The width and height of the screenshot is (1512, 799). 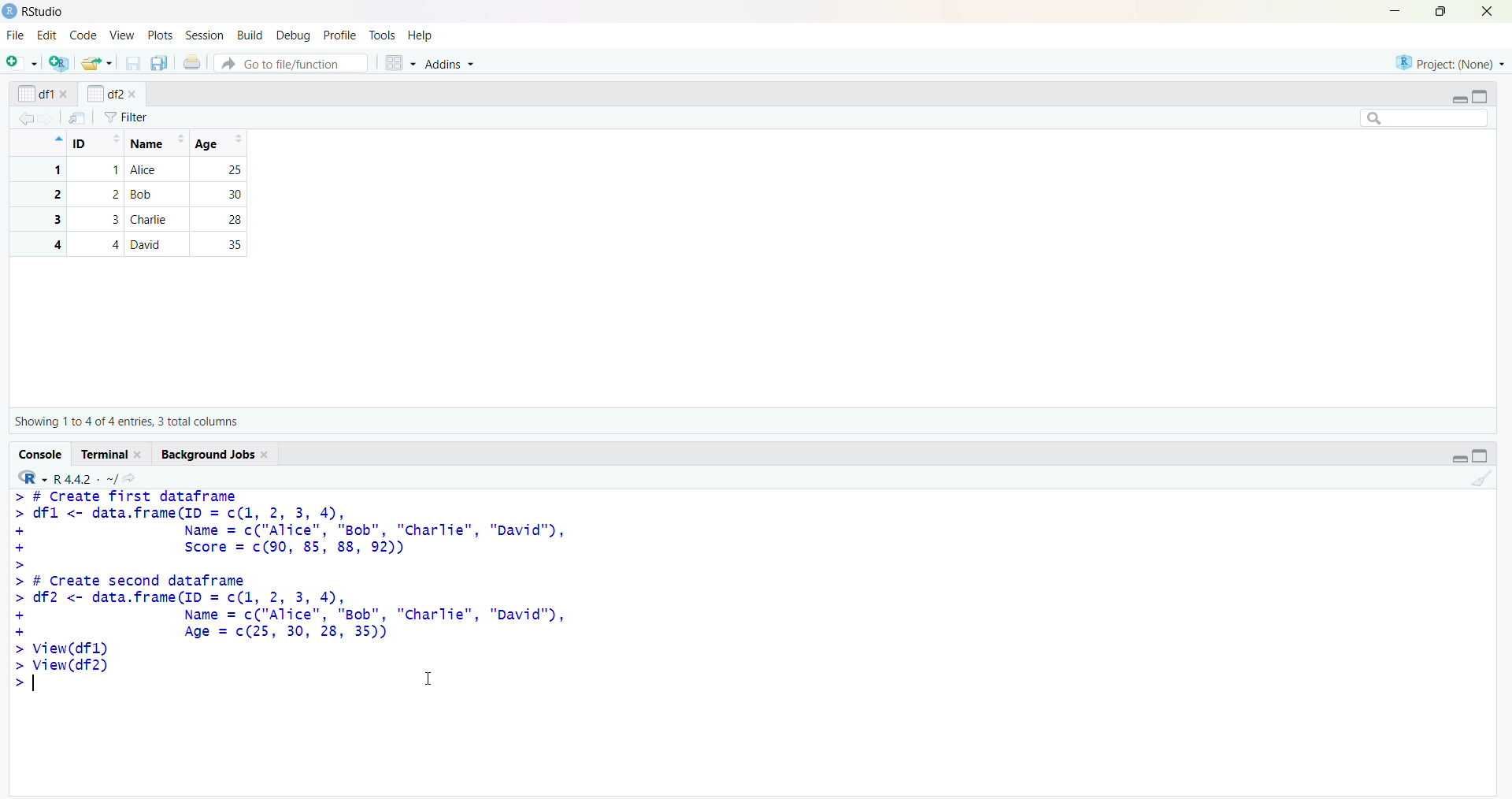 I want to click on project (none), so click(x=1450, y=62).